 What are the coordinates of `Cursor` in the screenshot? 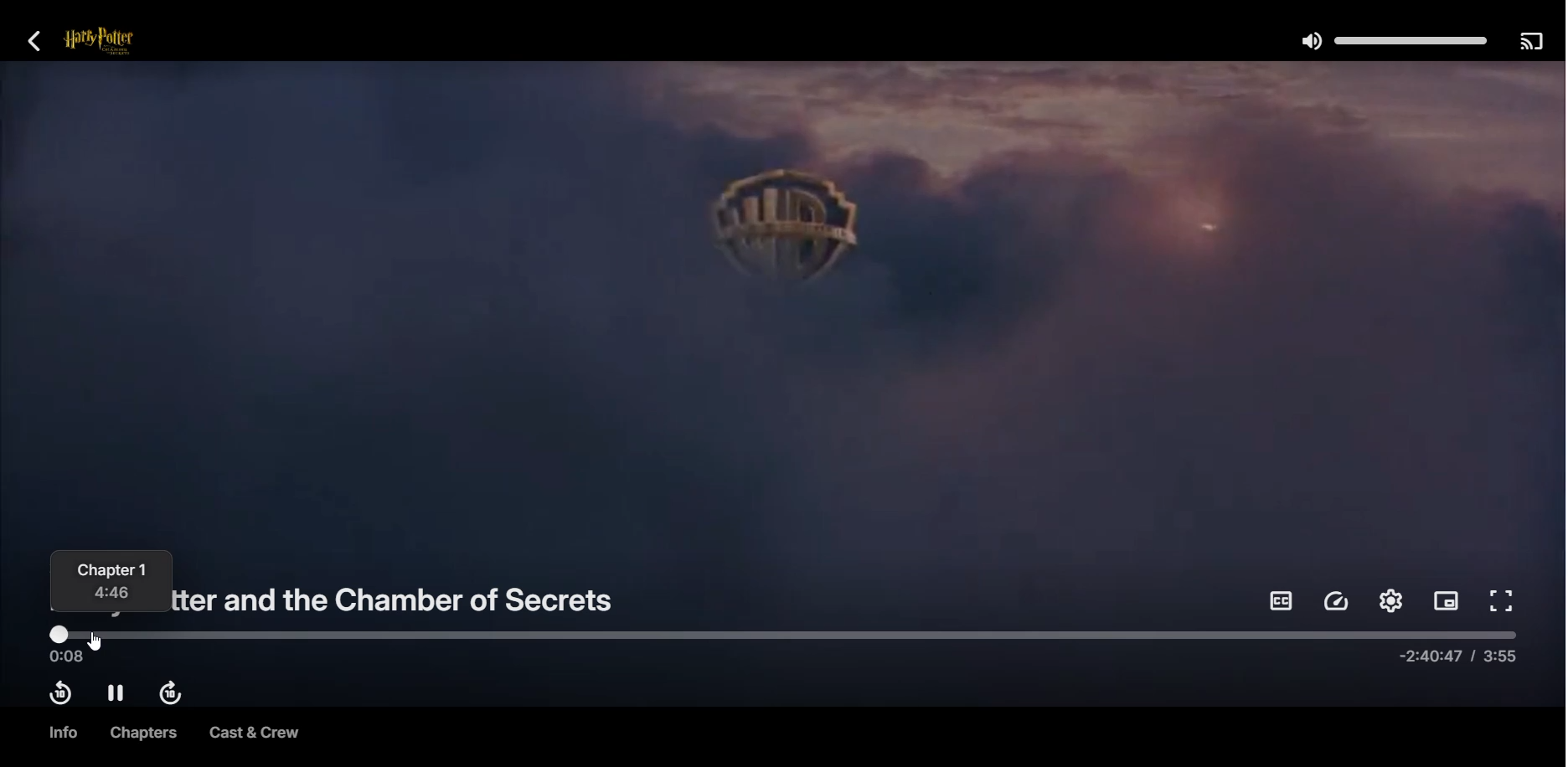 It's located at (97, 642).